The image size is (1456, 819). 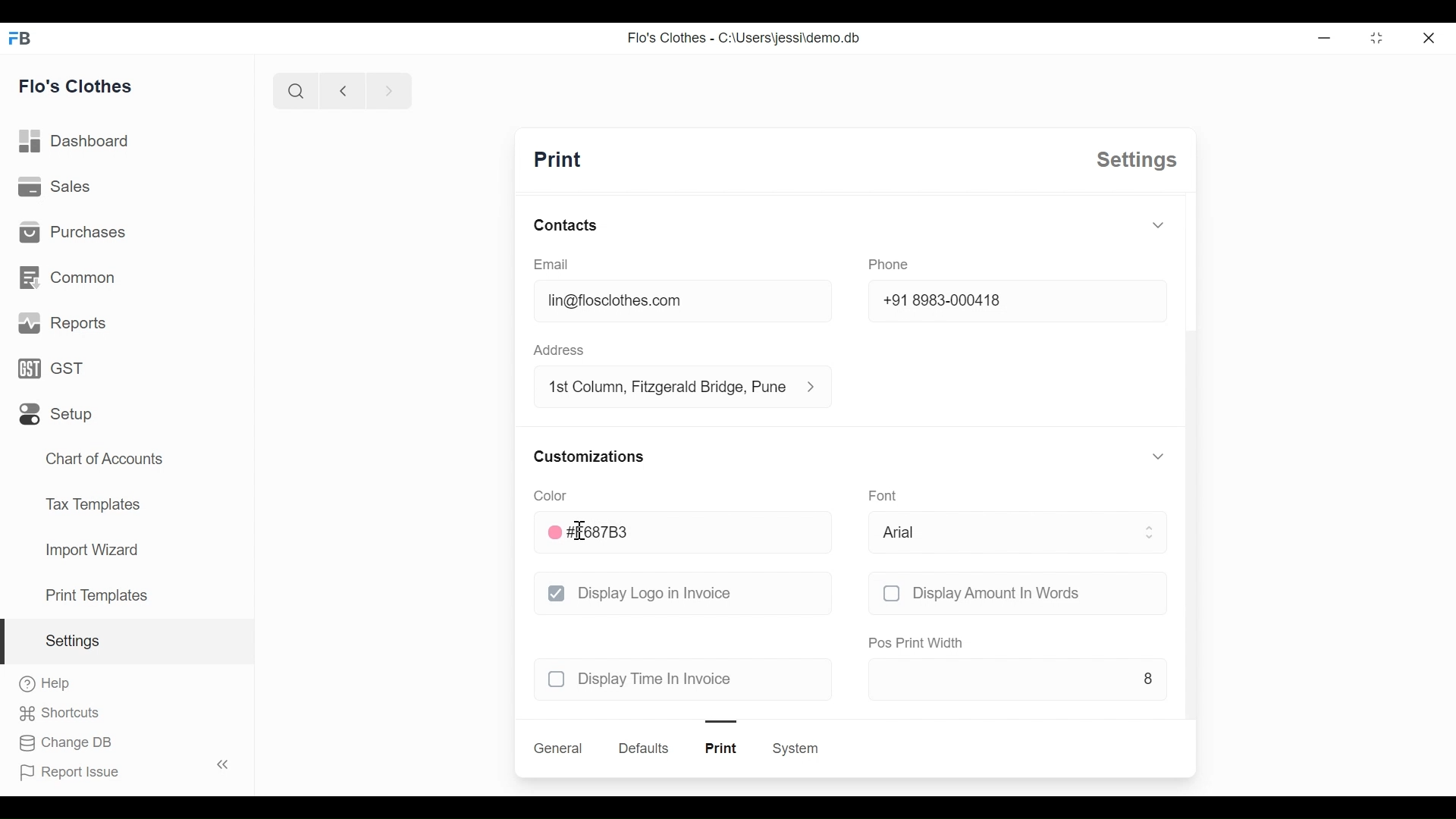 I want to click on search, so click(x=295, y=90).